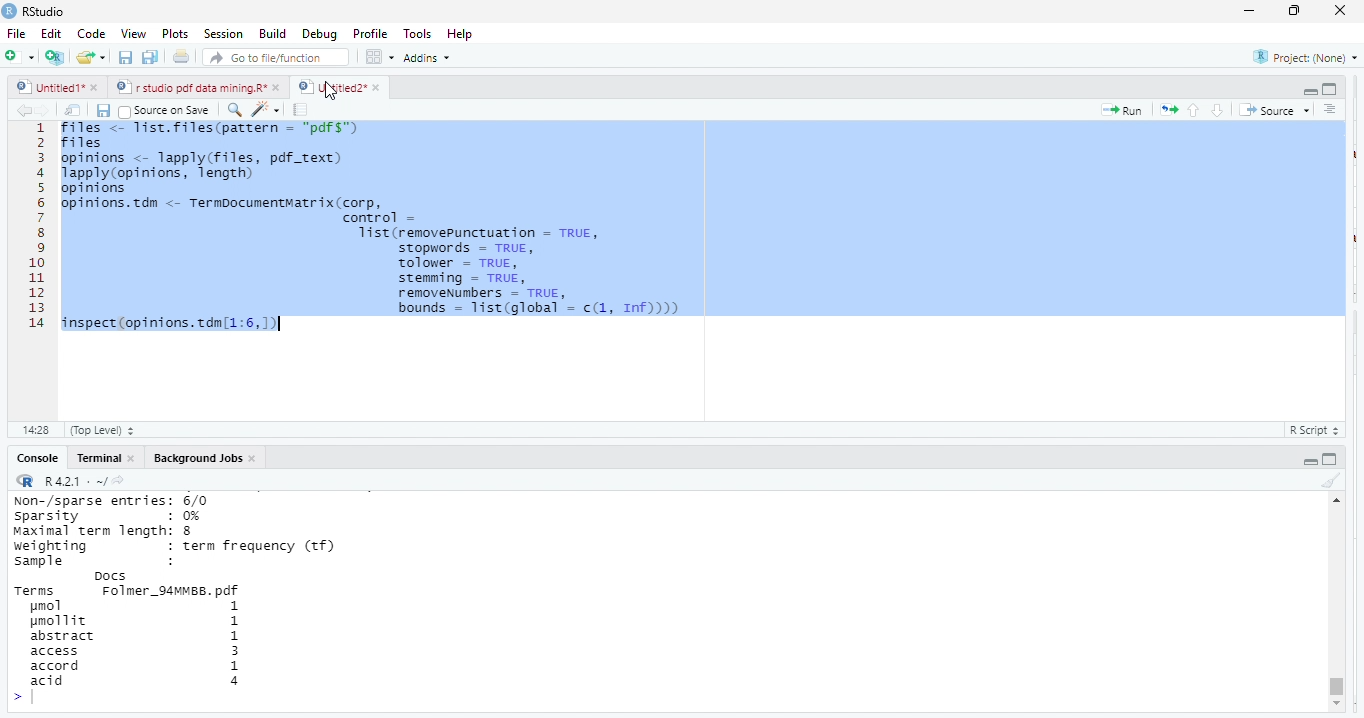 The height and width of the screenshot is (718, 1364). Describe the element at coordinates (330, 86) in the screenshot. I see `untitled 2` at that location.